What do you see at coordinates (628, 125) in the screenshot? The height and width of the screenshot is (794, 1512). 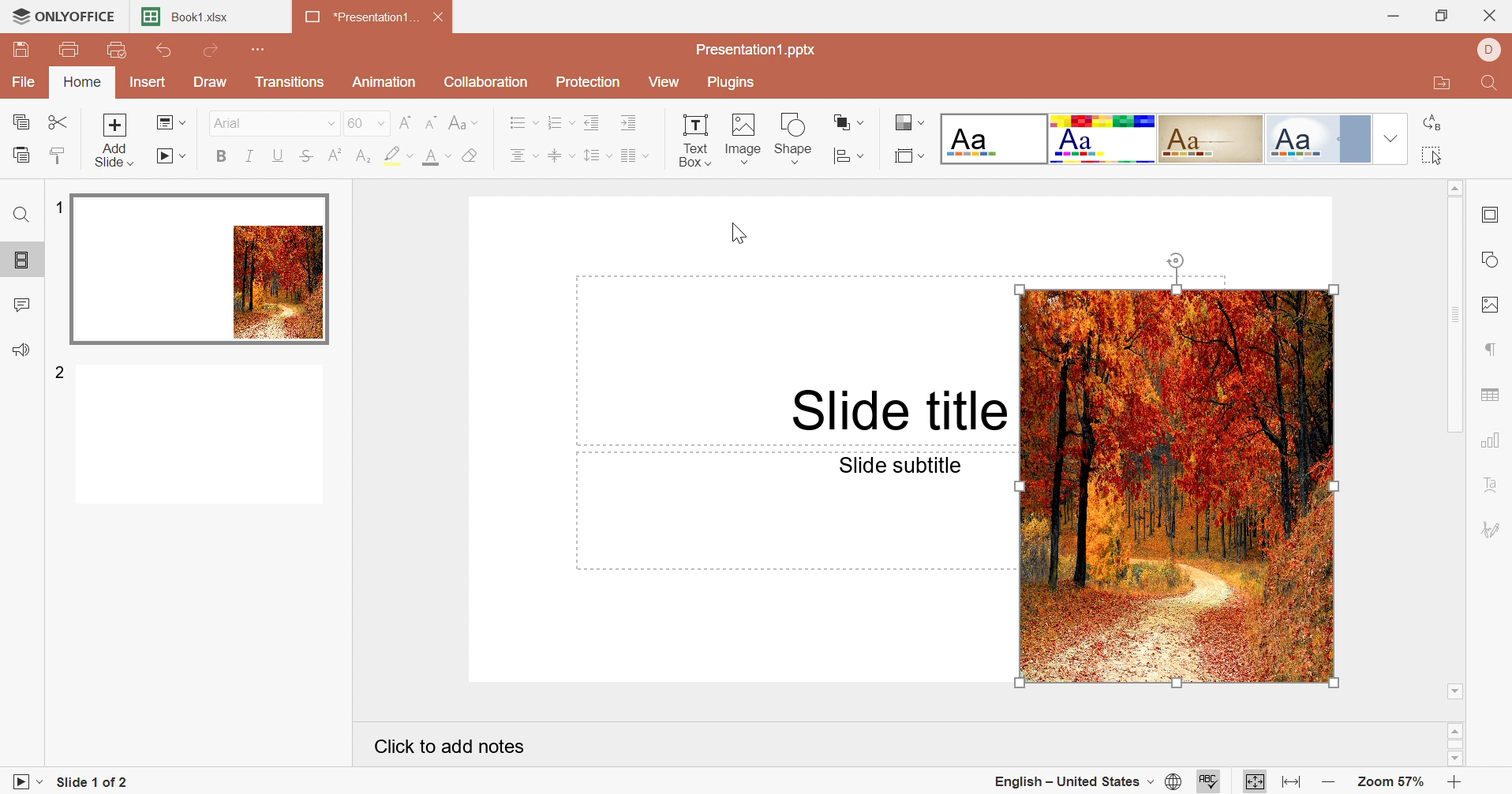 I see `Increase Indent` at bounding box center [628, 125].